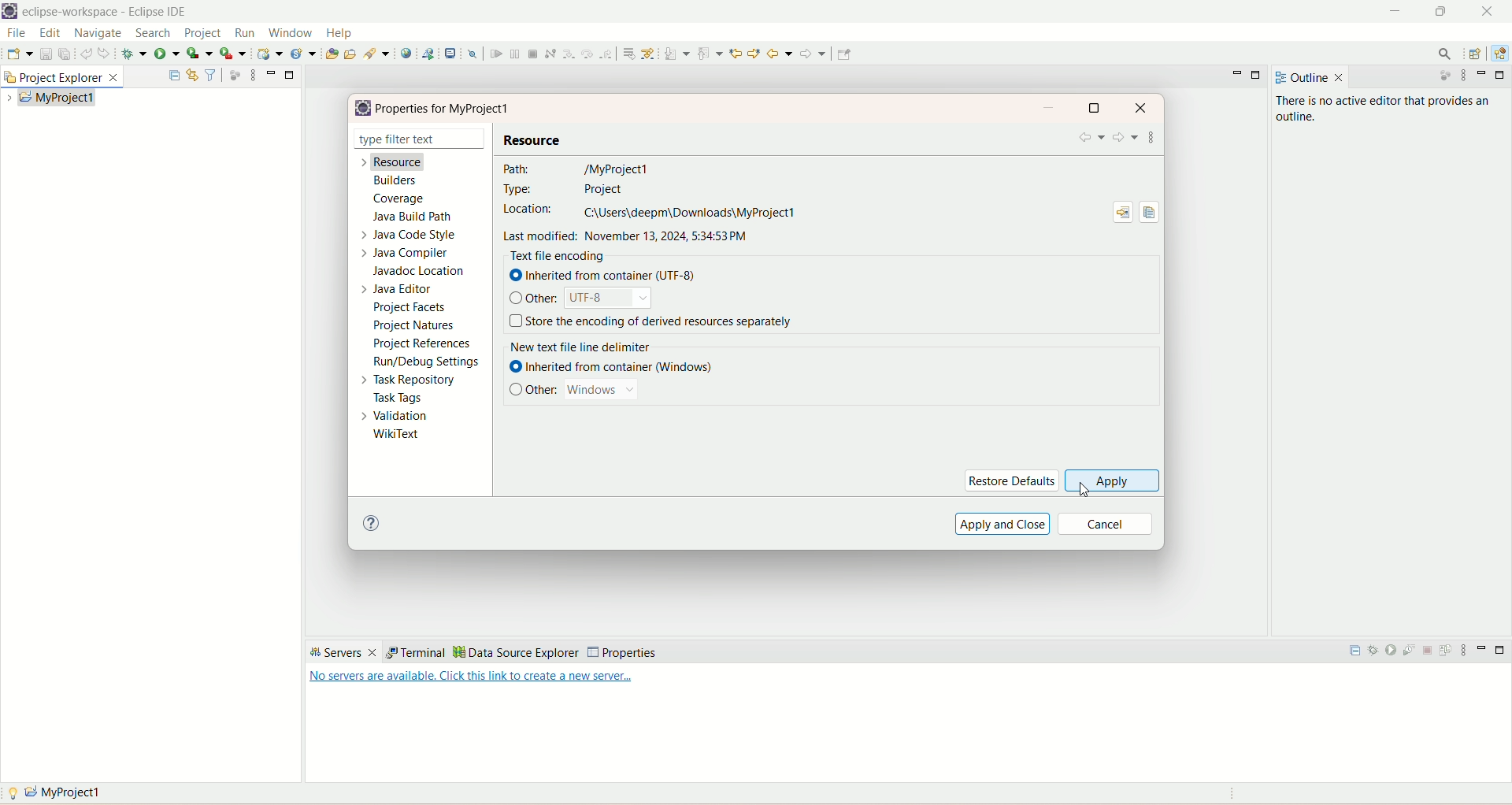 The width and height of the screenshot is (1512, 805). What do you see at coordinates (251, 75) in the screenshot?
I see `view menu` at bounding box center [251, 75].